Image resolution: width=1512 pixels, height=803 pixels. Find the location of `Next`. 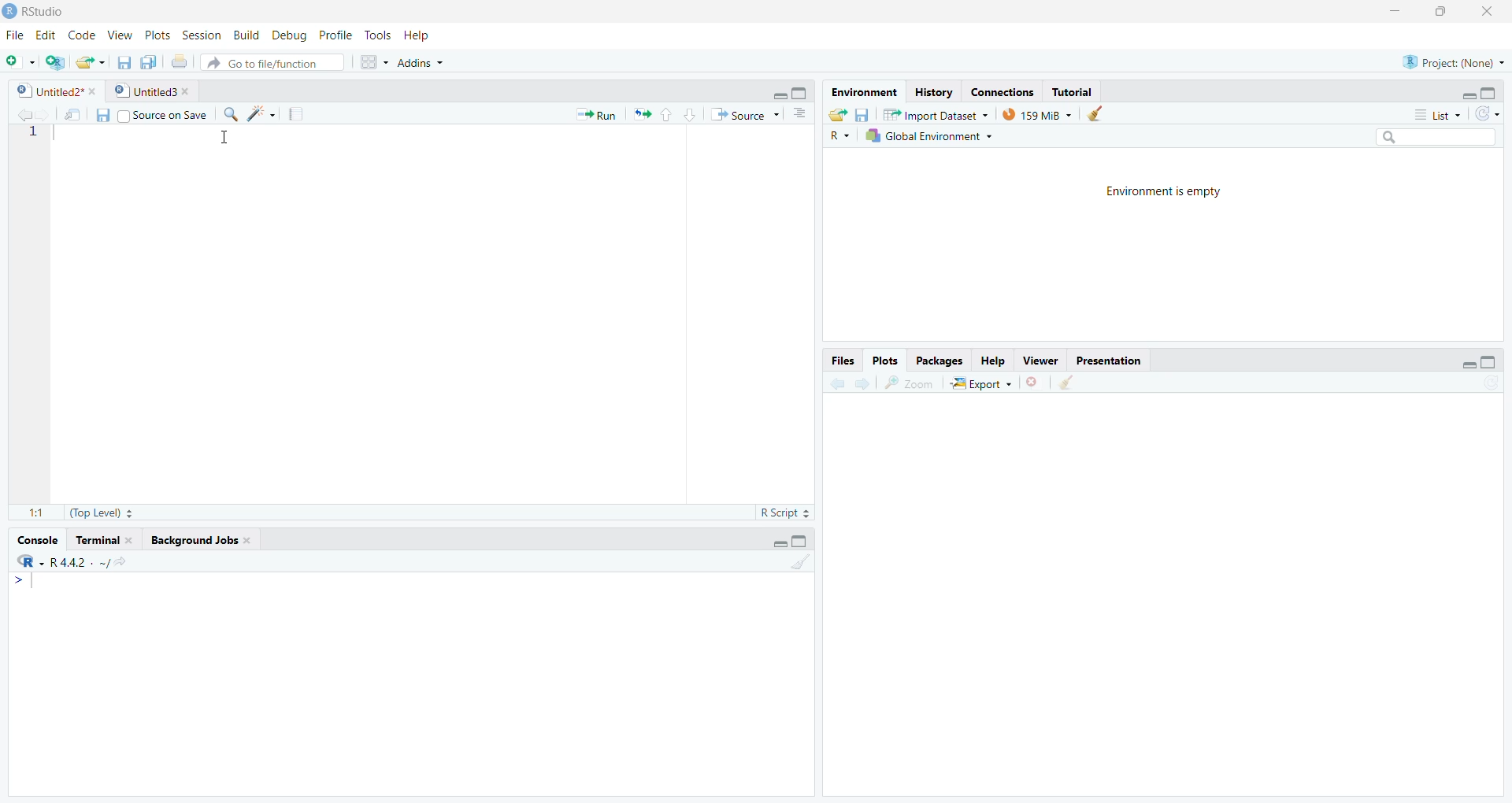

Next is located at coordinates (45, 115).